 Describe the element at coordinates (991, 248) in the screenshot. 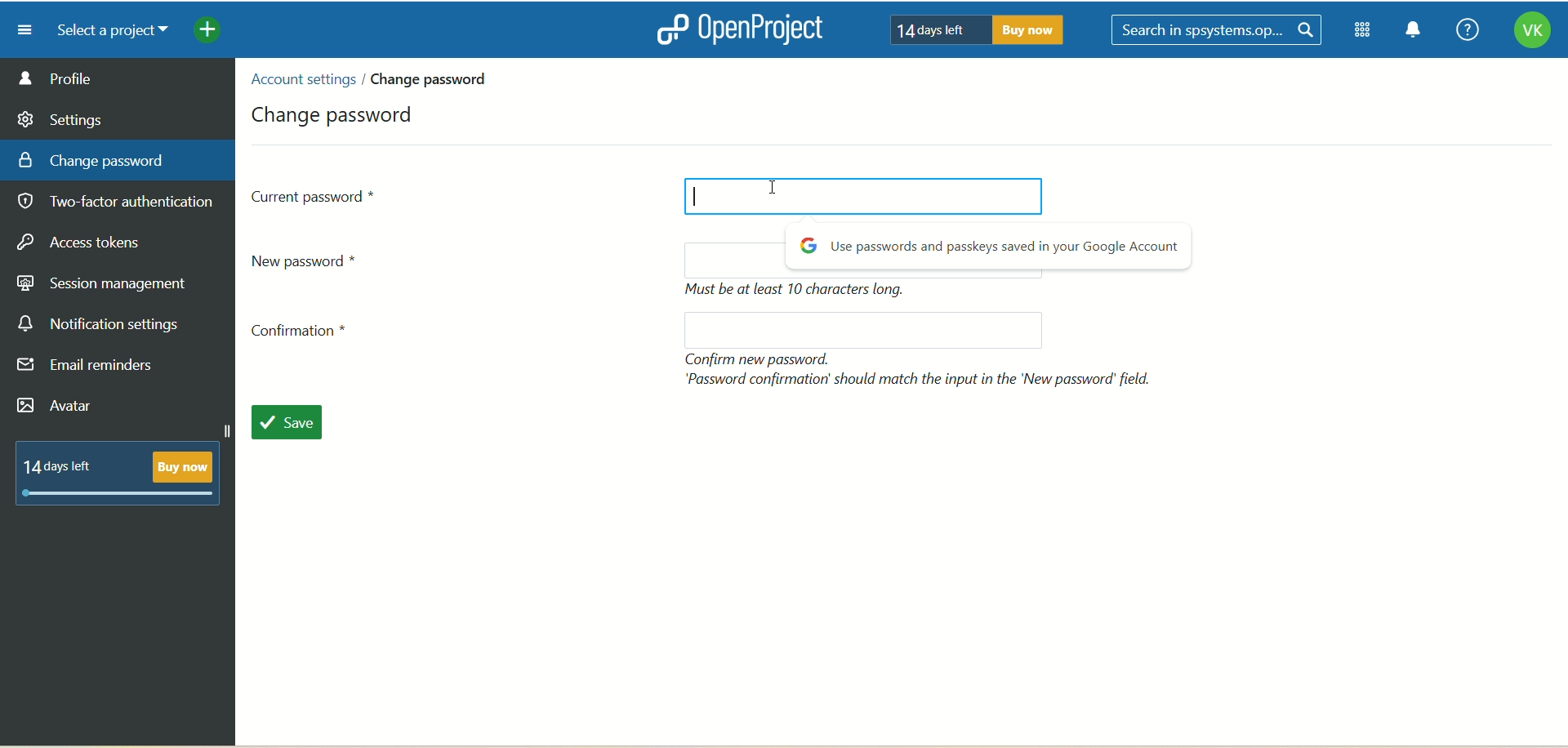

I see `text` at that location.